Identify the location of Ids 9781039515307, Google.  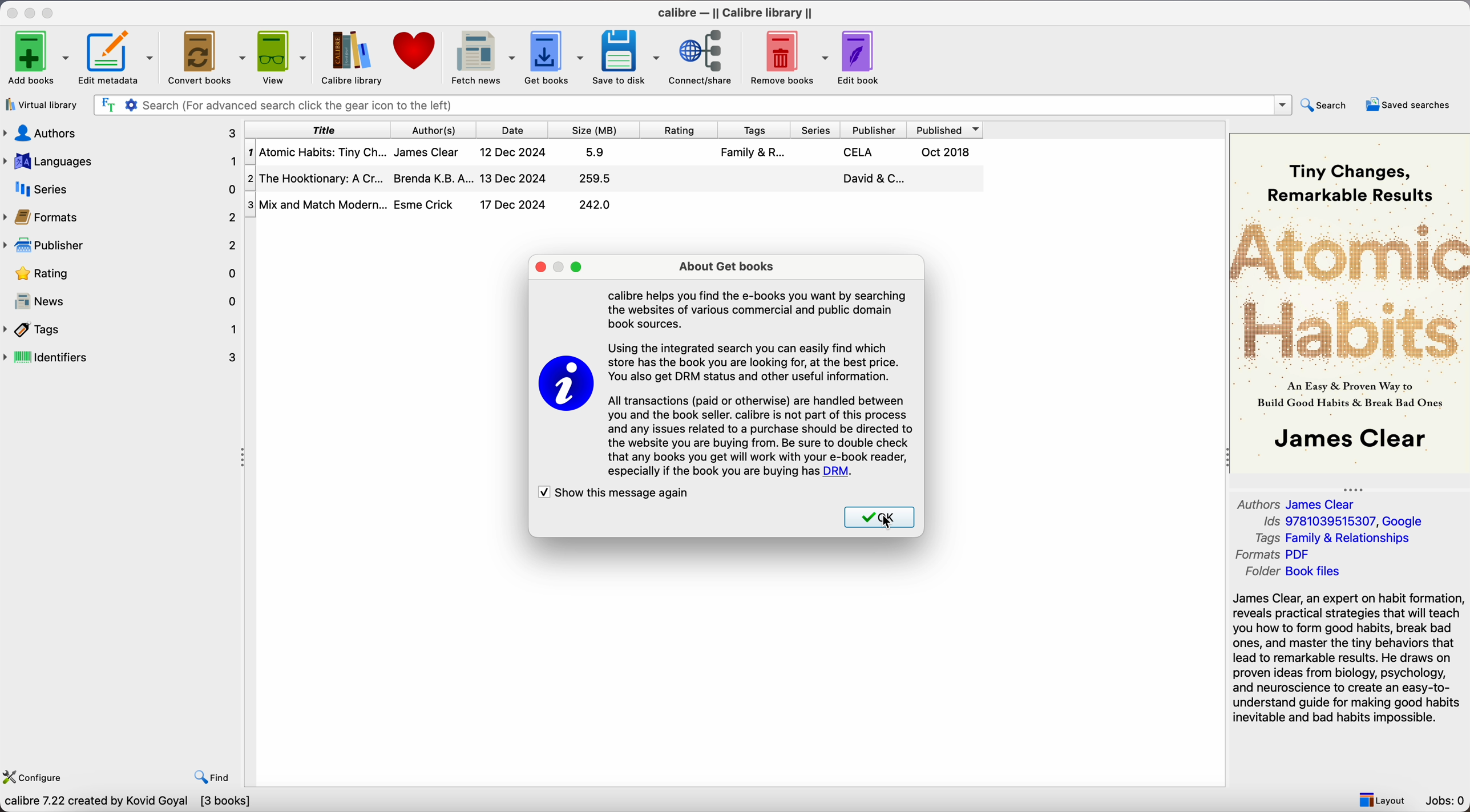
(1344, 522).